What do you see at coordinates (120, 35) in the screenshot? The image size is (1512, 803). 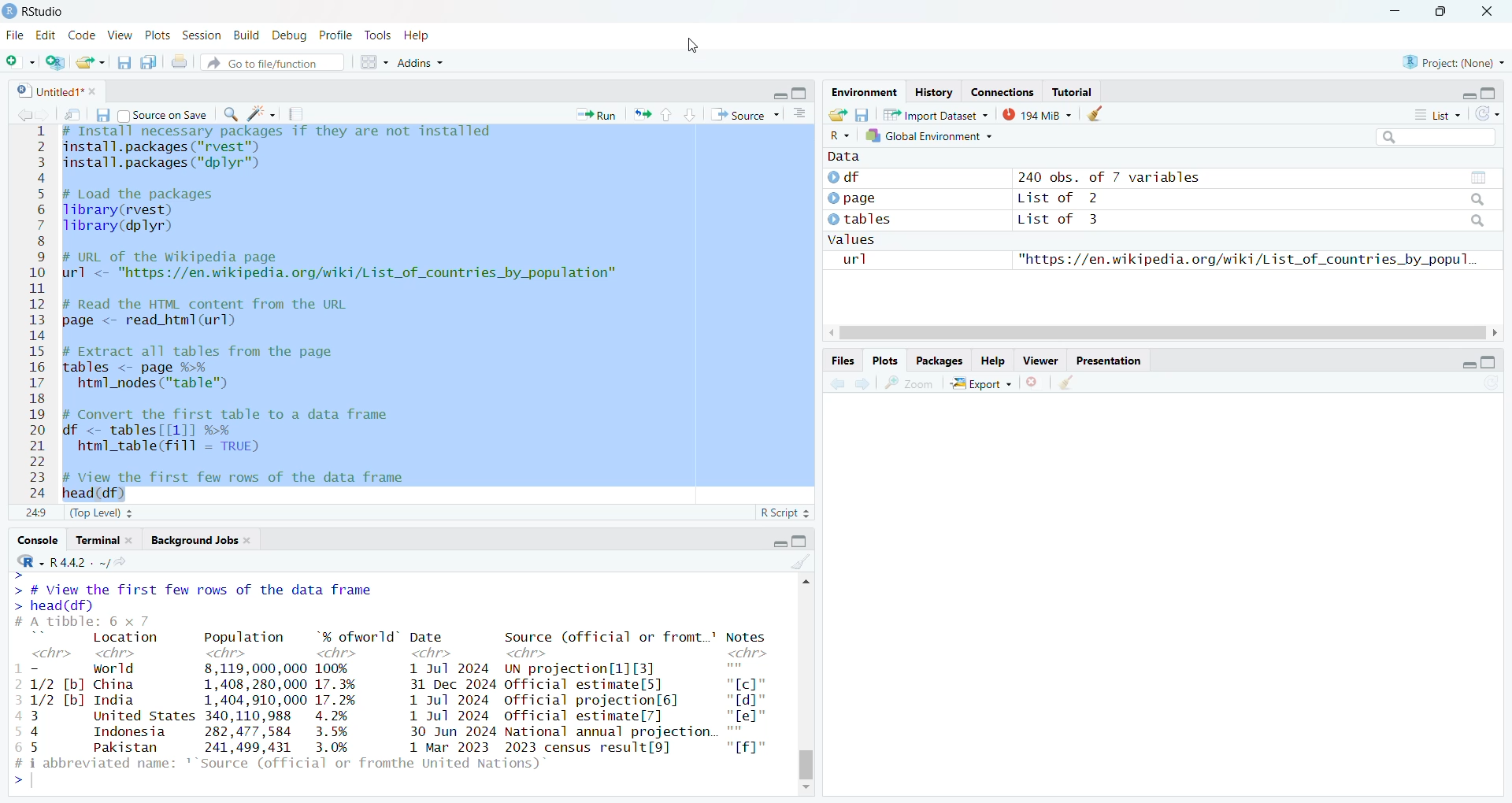 I see `View` at bounding box center [120, 35].